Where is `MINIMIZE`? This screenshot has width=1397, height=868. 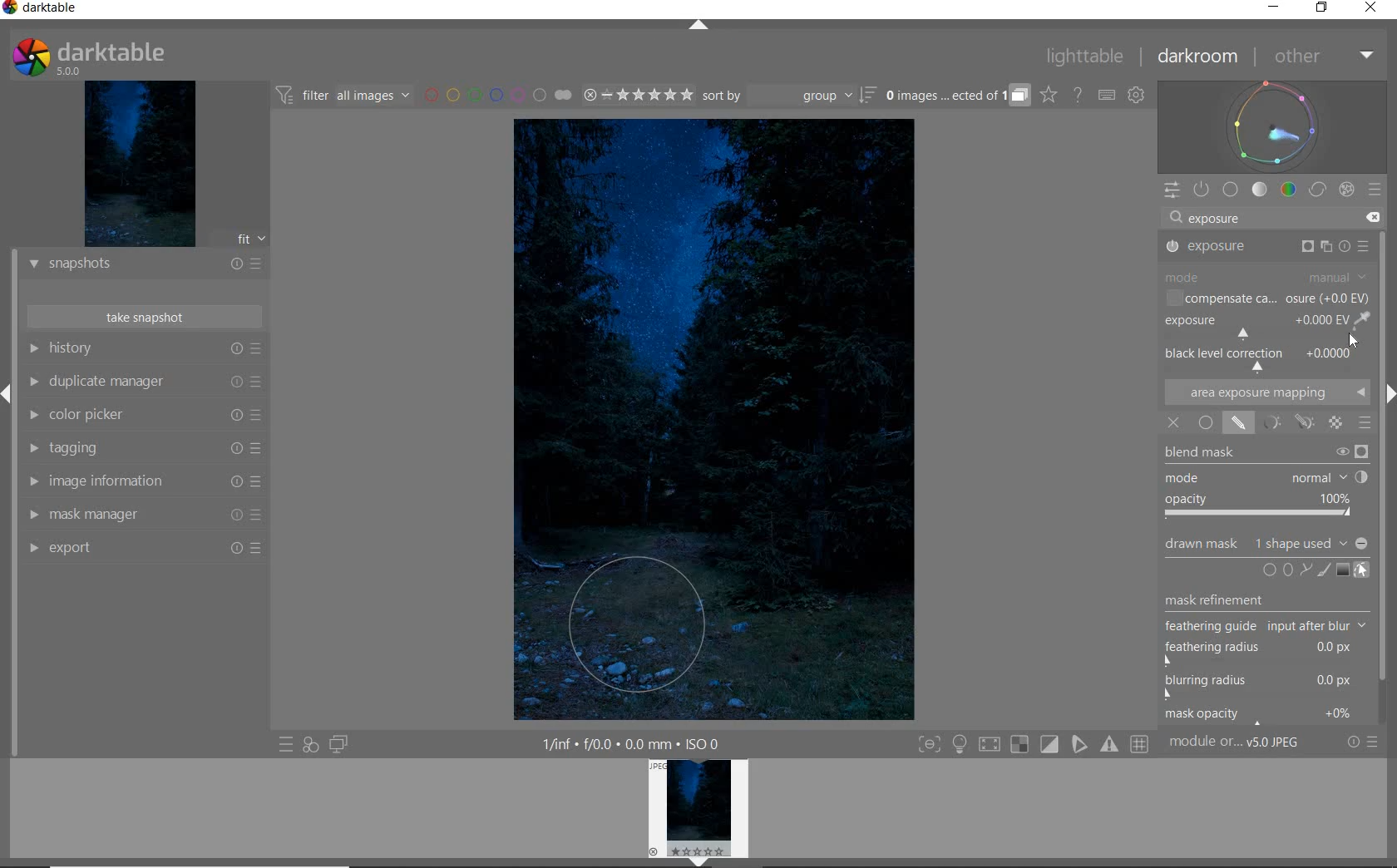 MINIMIZE is located at coordinates (1275, 7).